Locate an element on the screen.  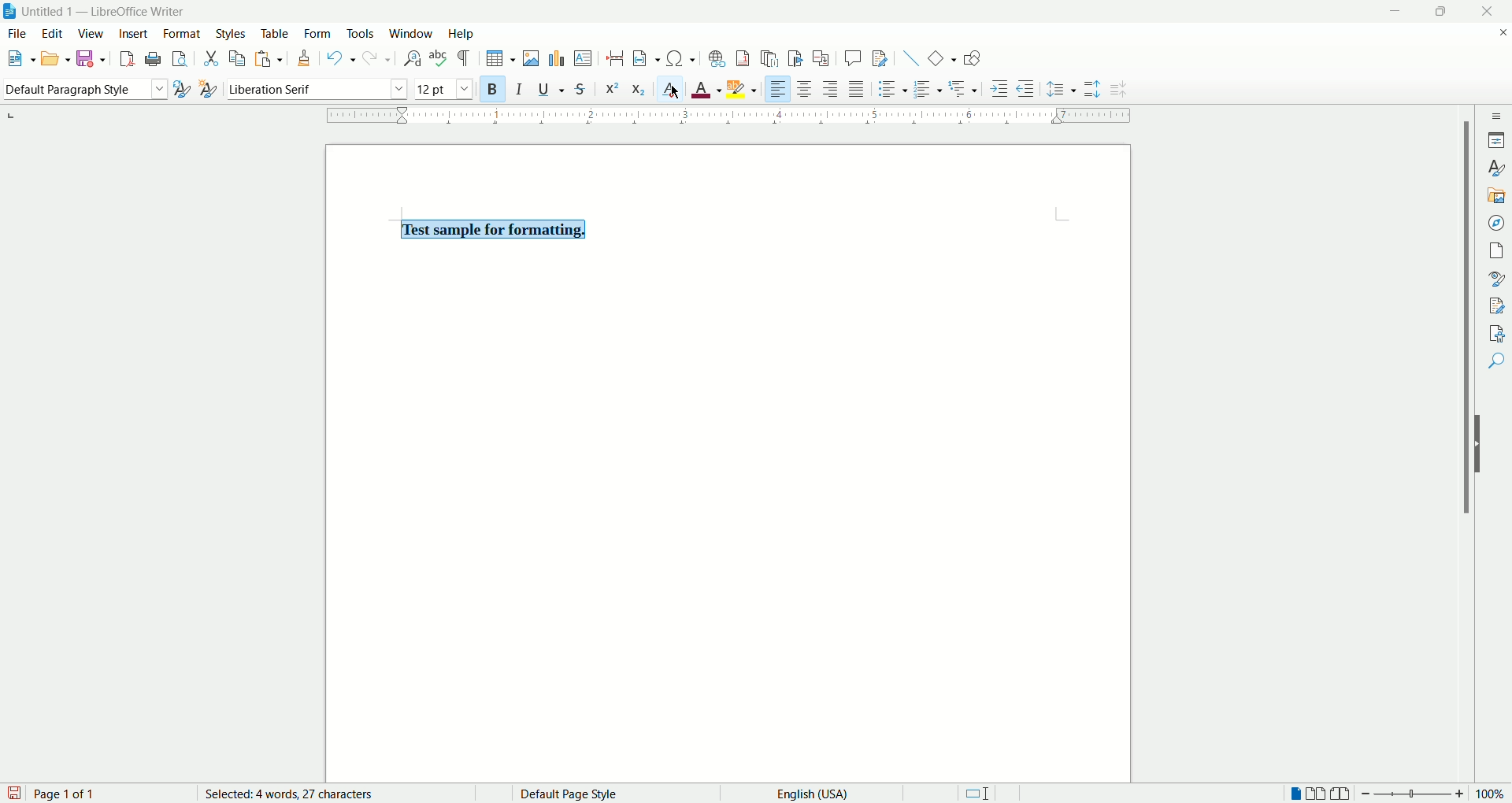
view is located at coordinates (93, 33).